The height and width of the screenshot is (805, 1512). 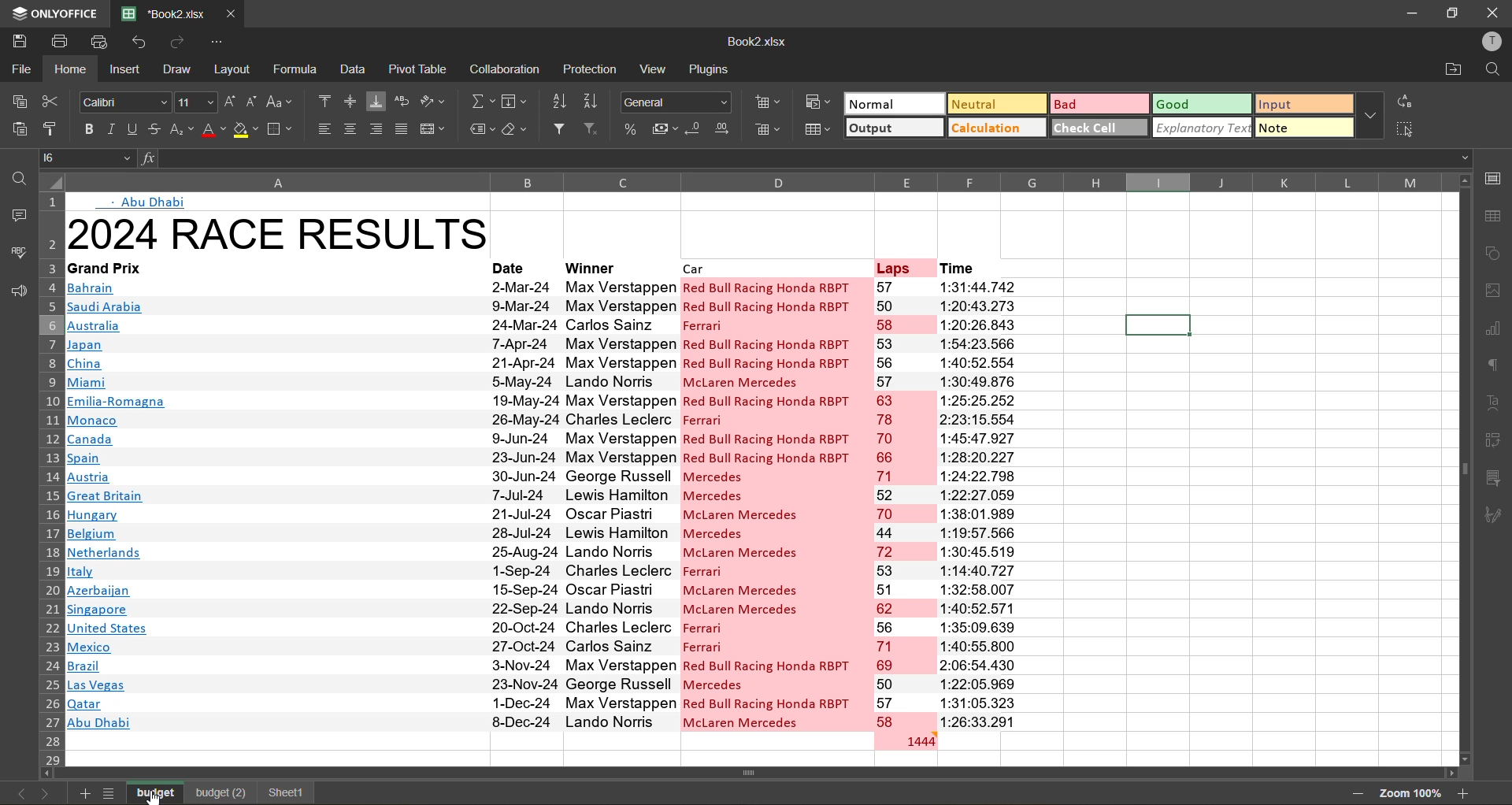 What do you see at coordinates (46, 792) in the screenshot?
I see `next` at bounding box center [46, 792].